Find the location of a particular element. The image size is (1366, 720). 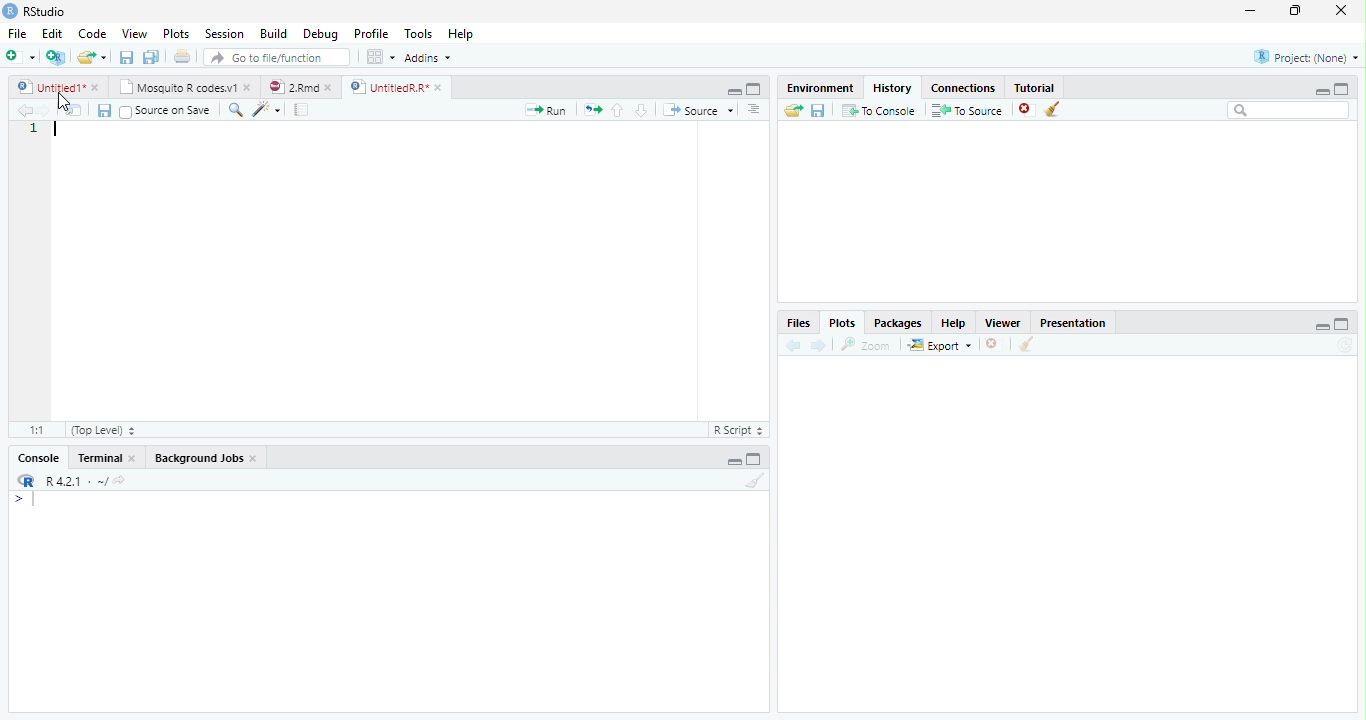

Profile is located at coordinates (371, 33).